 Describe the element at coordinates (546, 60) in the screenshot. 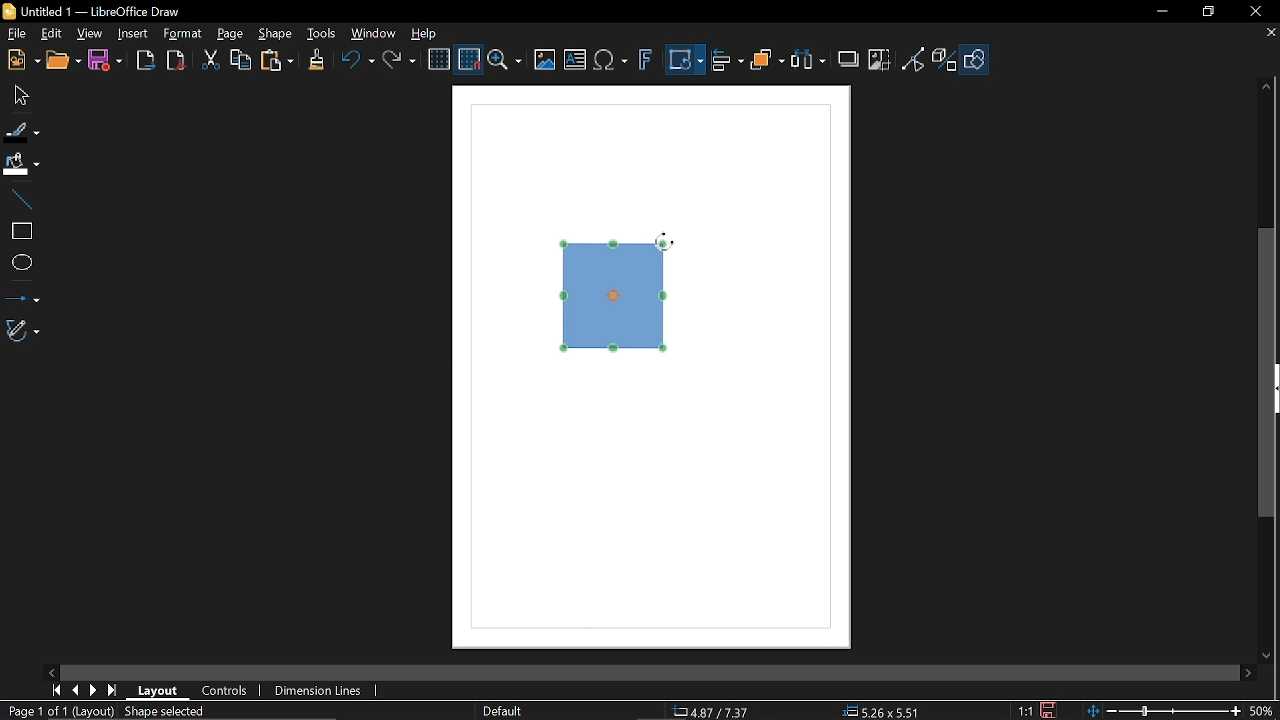

I see `Insert image` at that location.